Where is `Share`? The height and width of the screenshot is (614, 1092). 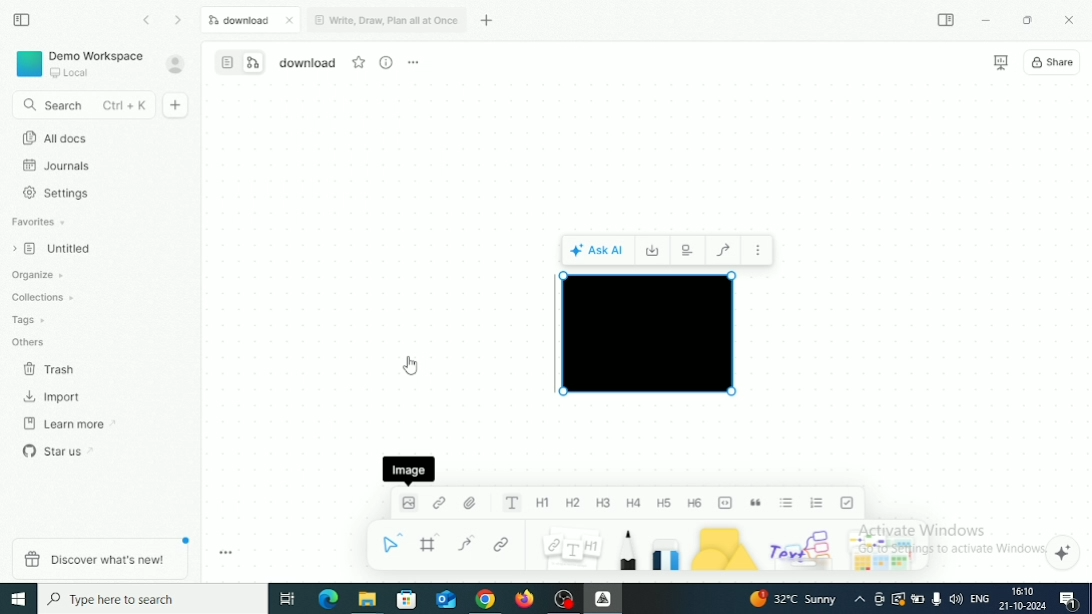 Share is located at coordinates (1052, 62).